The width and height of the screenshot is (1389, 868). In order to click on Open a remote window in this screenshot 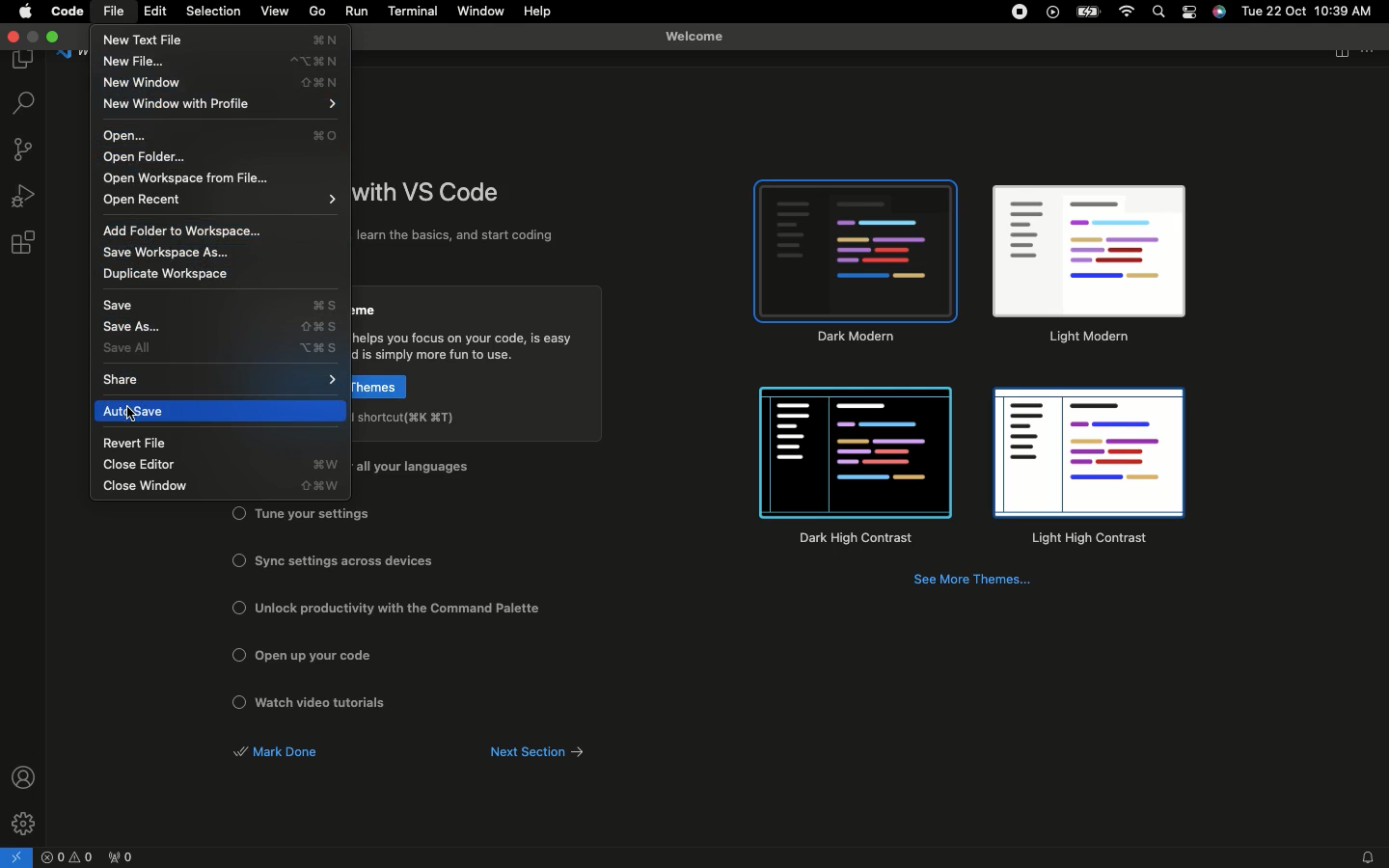, I will do `click(19, 855)`.